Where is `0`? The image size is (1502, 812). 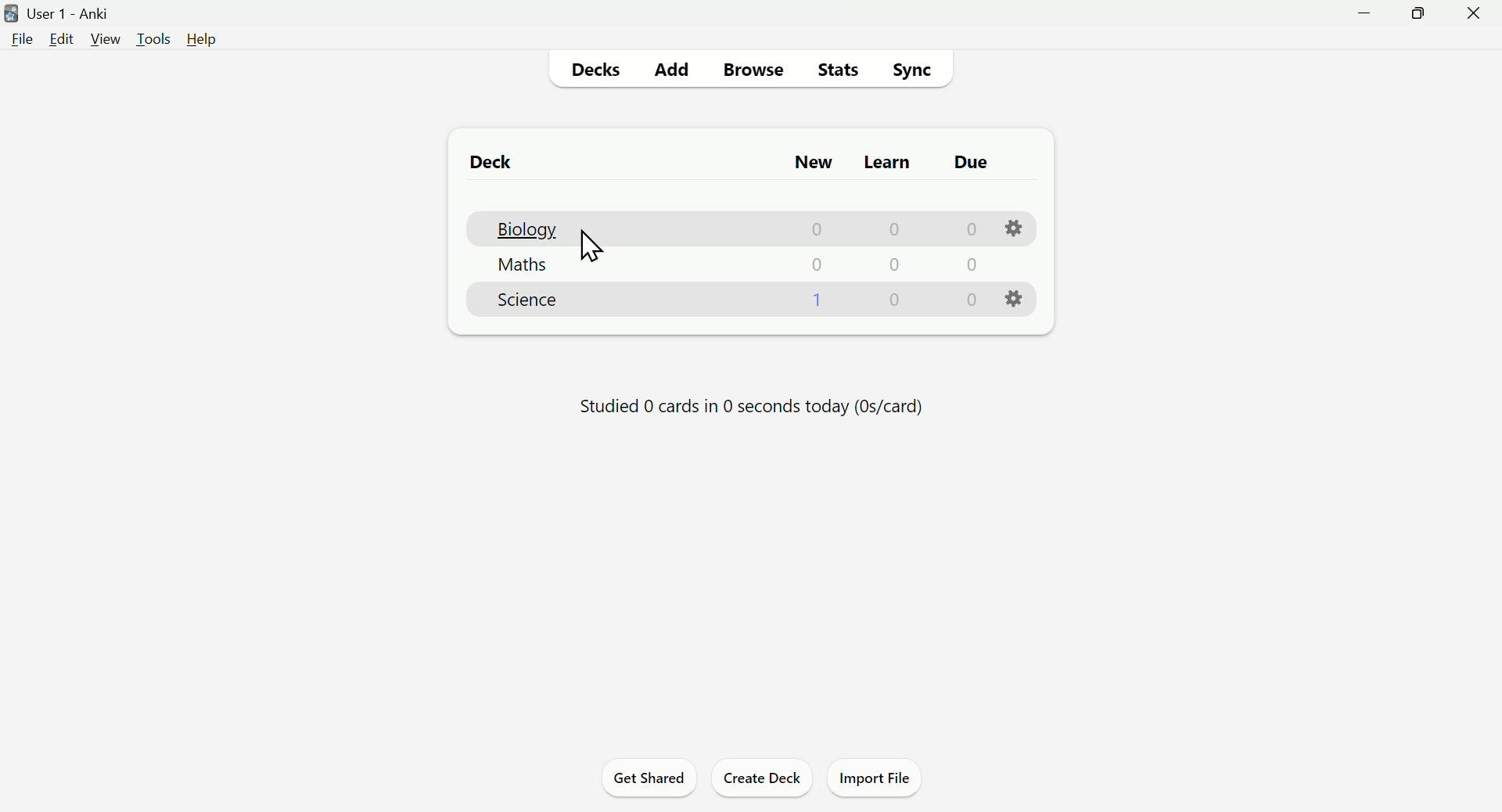
0 is located at coordinates (970, 228).